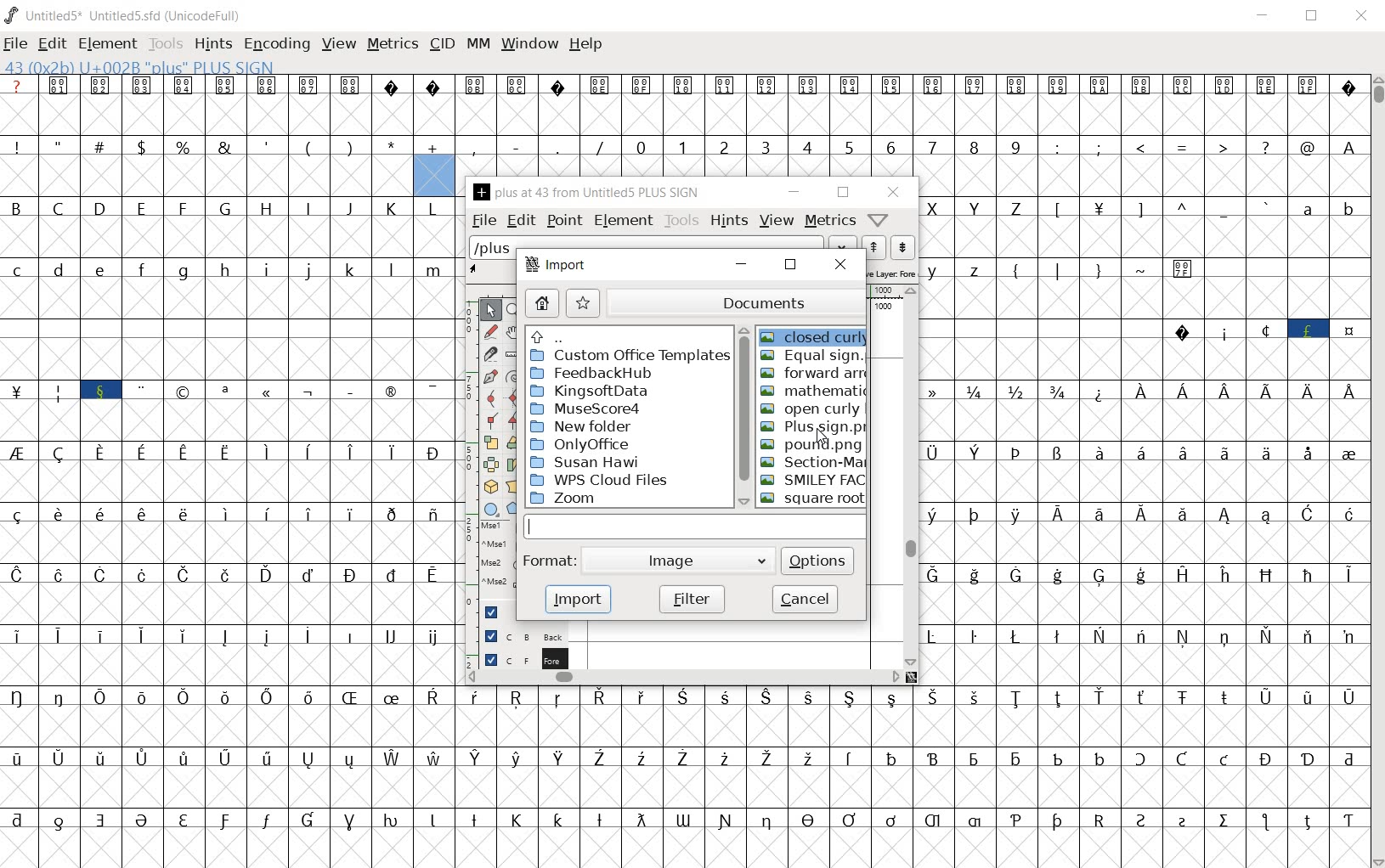  I want to click on special characters, so click(1348, 473).